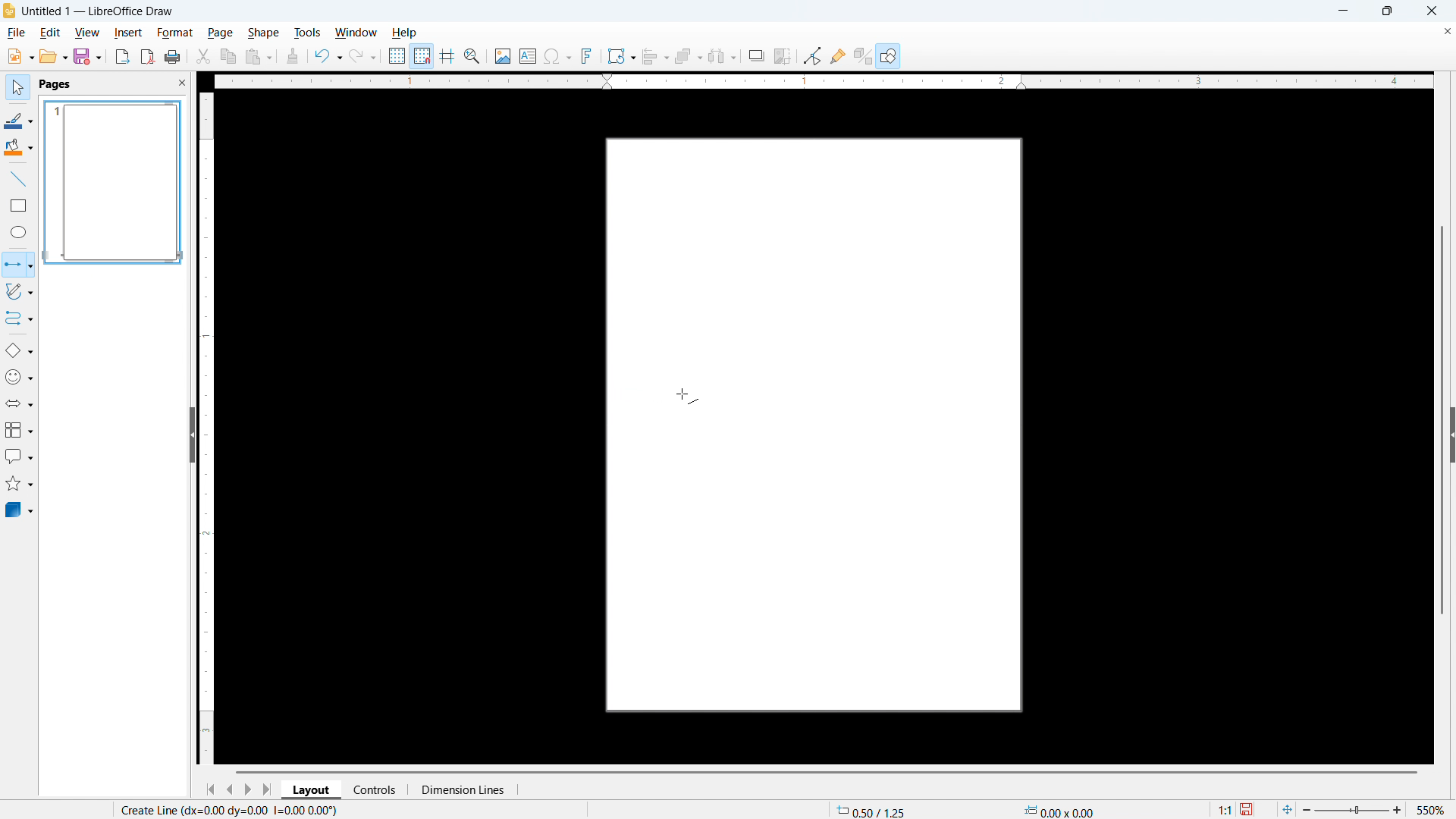  Describe the element at coordinates (57, 84) in the screenshot. I see `pages ` at that location.